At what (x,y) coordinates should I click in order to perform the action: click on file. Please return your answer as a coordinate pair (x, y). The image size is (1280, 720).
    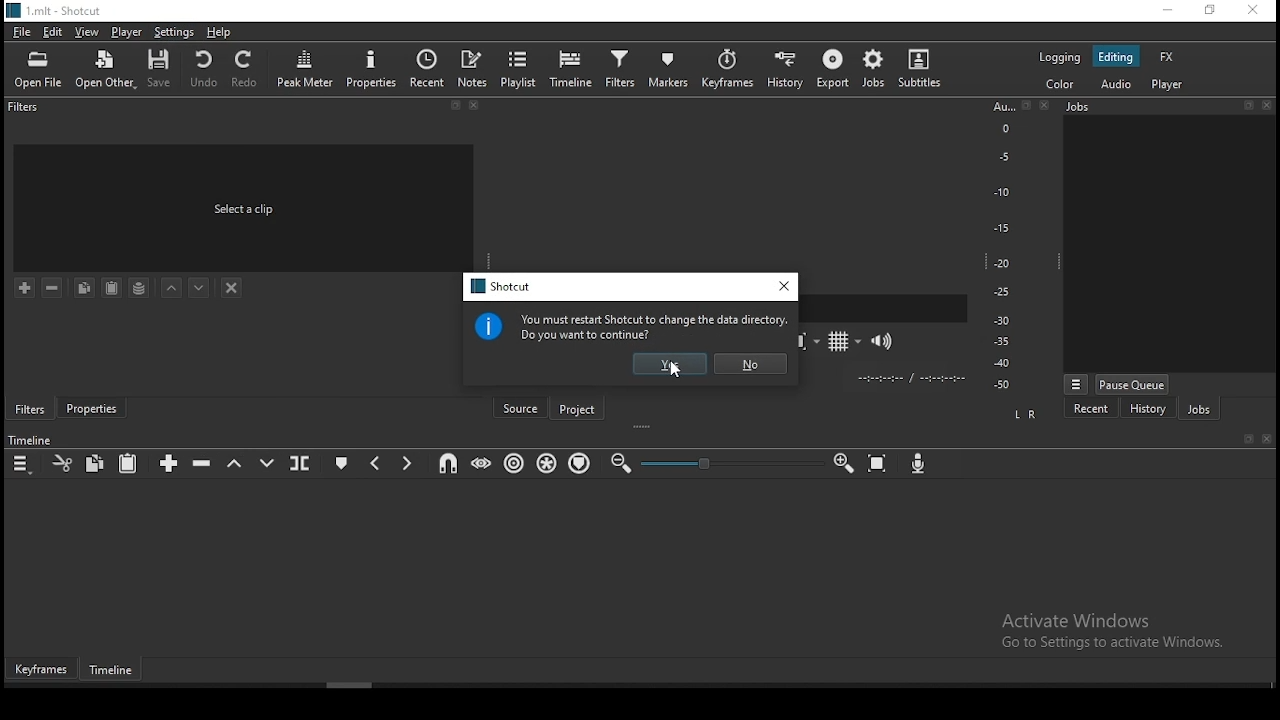
    Looking at the image, I should click on (20, 30).